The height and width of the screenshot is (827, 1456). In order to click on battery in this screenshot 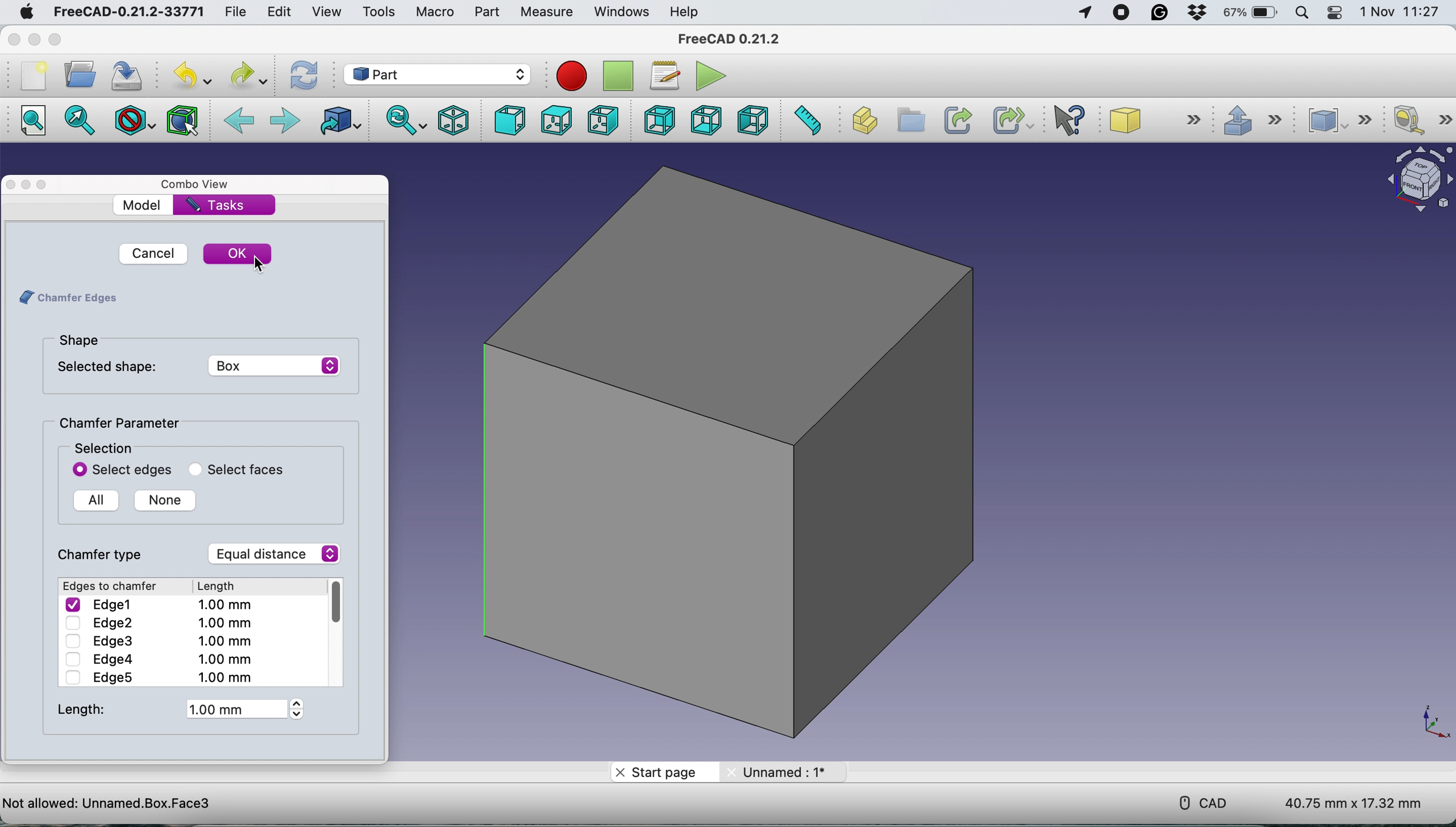, I will do `click(1251, 14)`.